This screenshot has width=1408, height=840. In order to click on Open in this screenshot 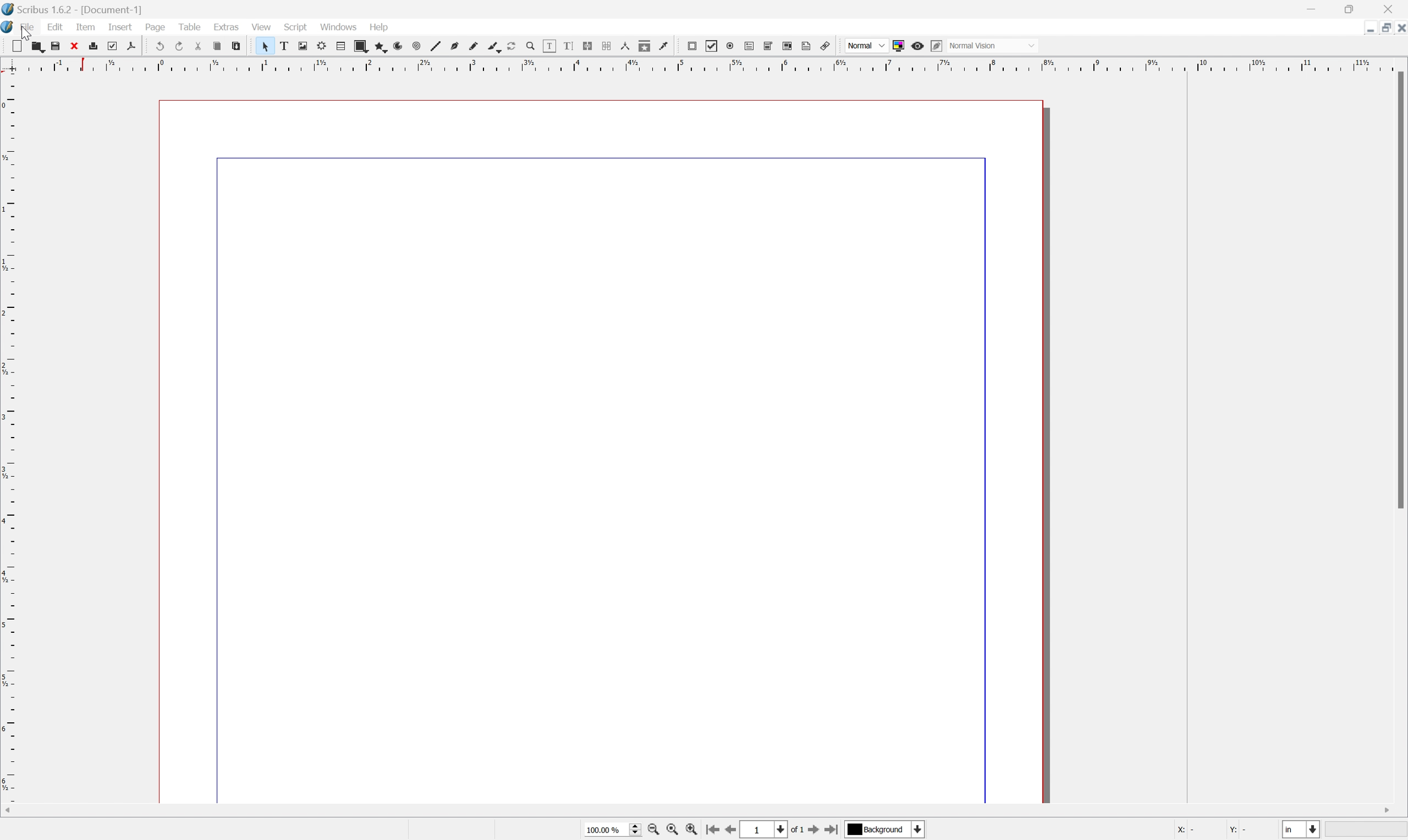, I will do `click(38, 47)`.